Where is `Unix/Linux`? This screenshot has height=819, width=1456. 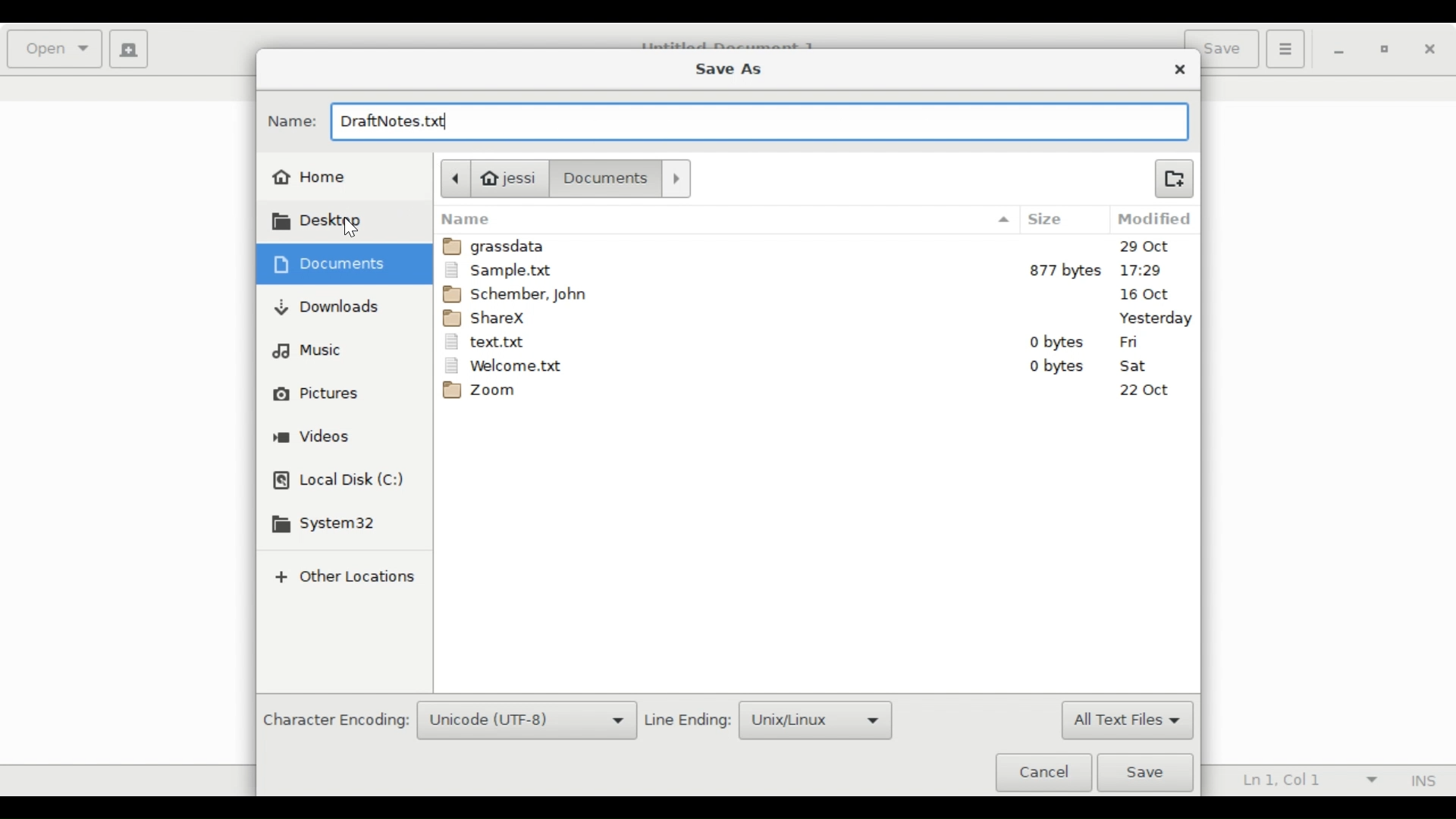 Unix/Linux is located at coordinates (817, 720).